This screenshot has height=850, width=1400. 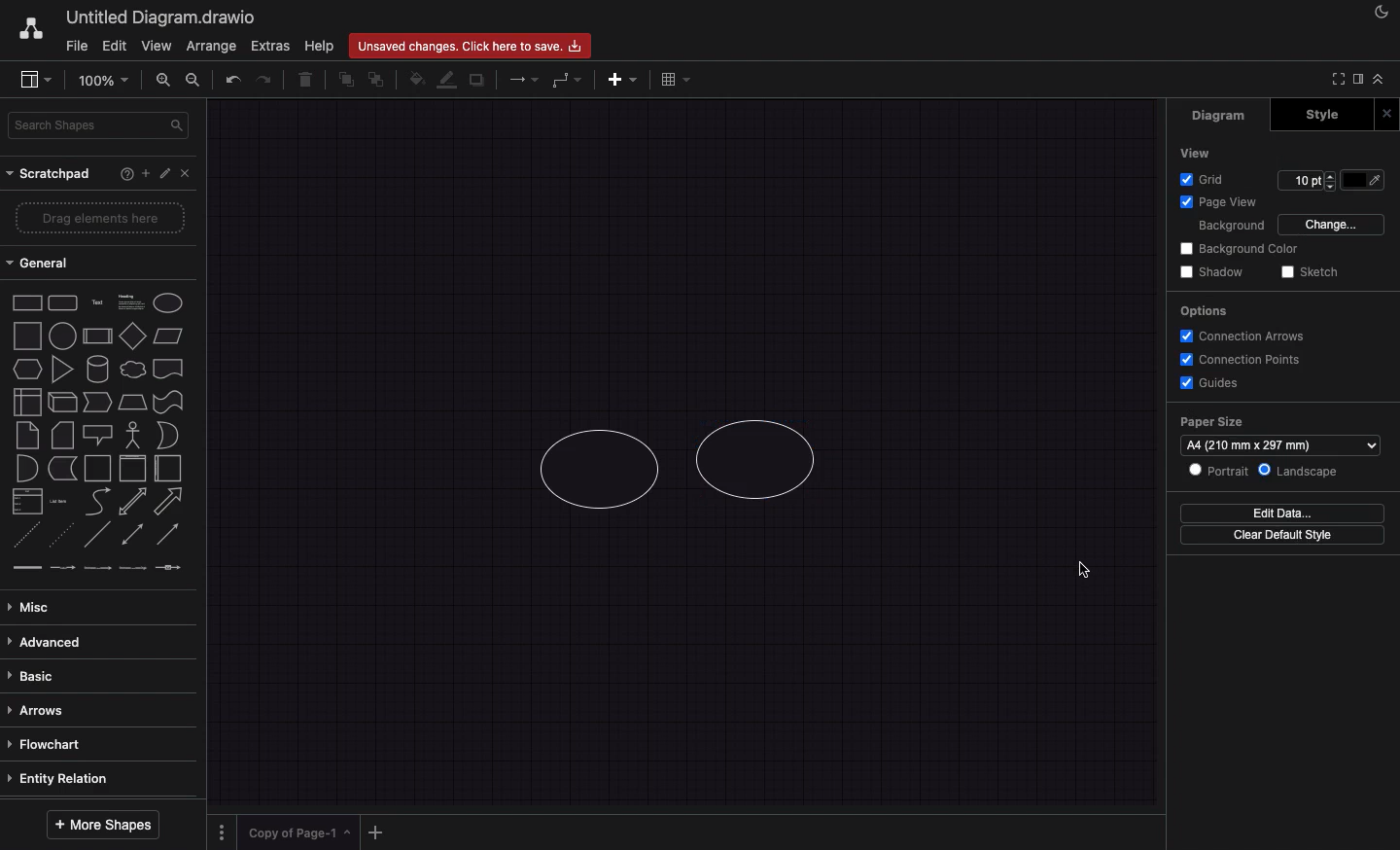 What do you see at coordinates (98, 535) in the screenshot?
I see `line` at bounding box center [98, 535].